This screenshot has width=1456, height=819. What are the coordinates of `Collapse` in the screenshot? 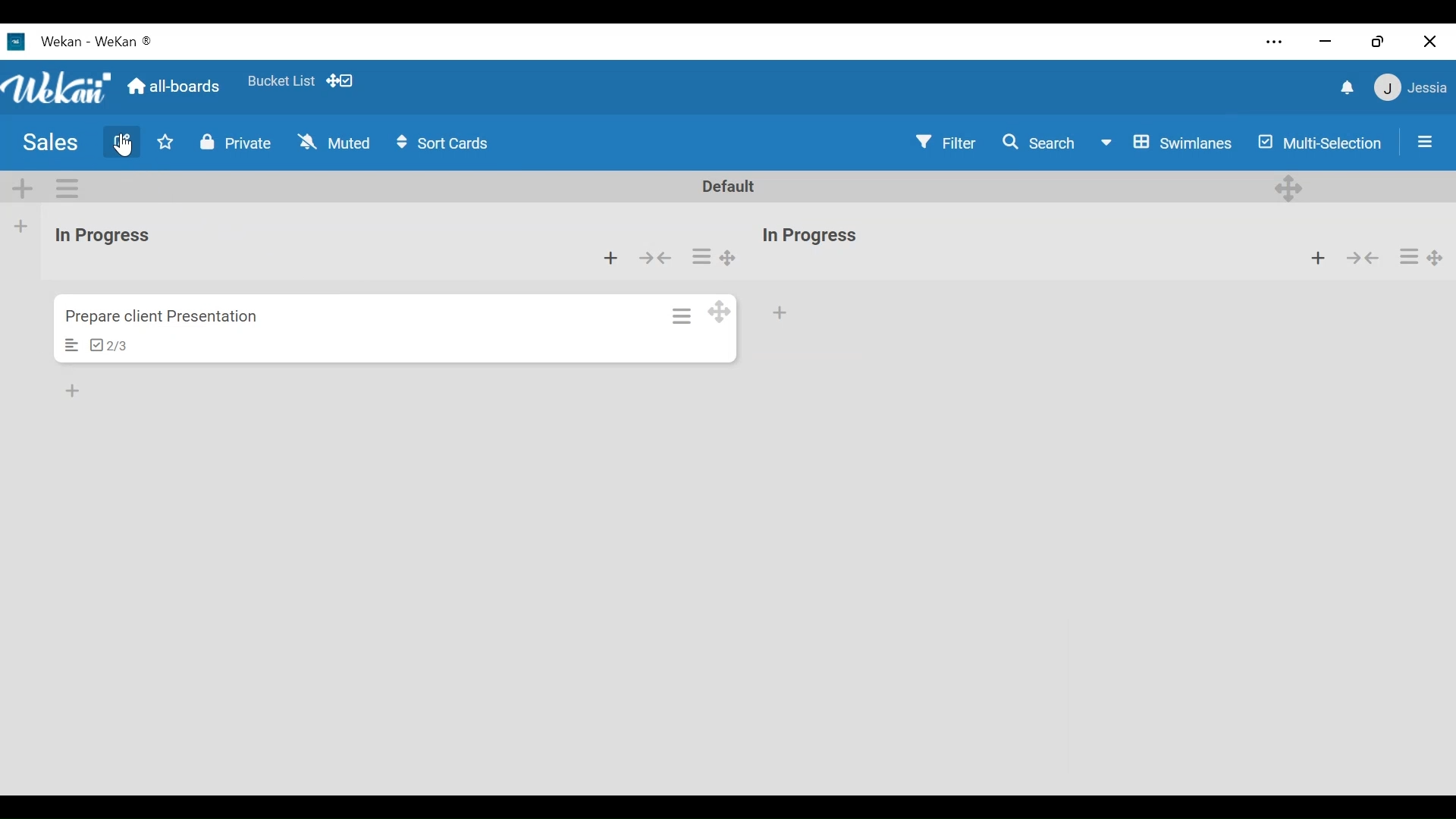 It's located at (1361, 256).